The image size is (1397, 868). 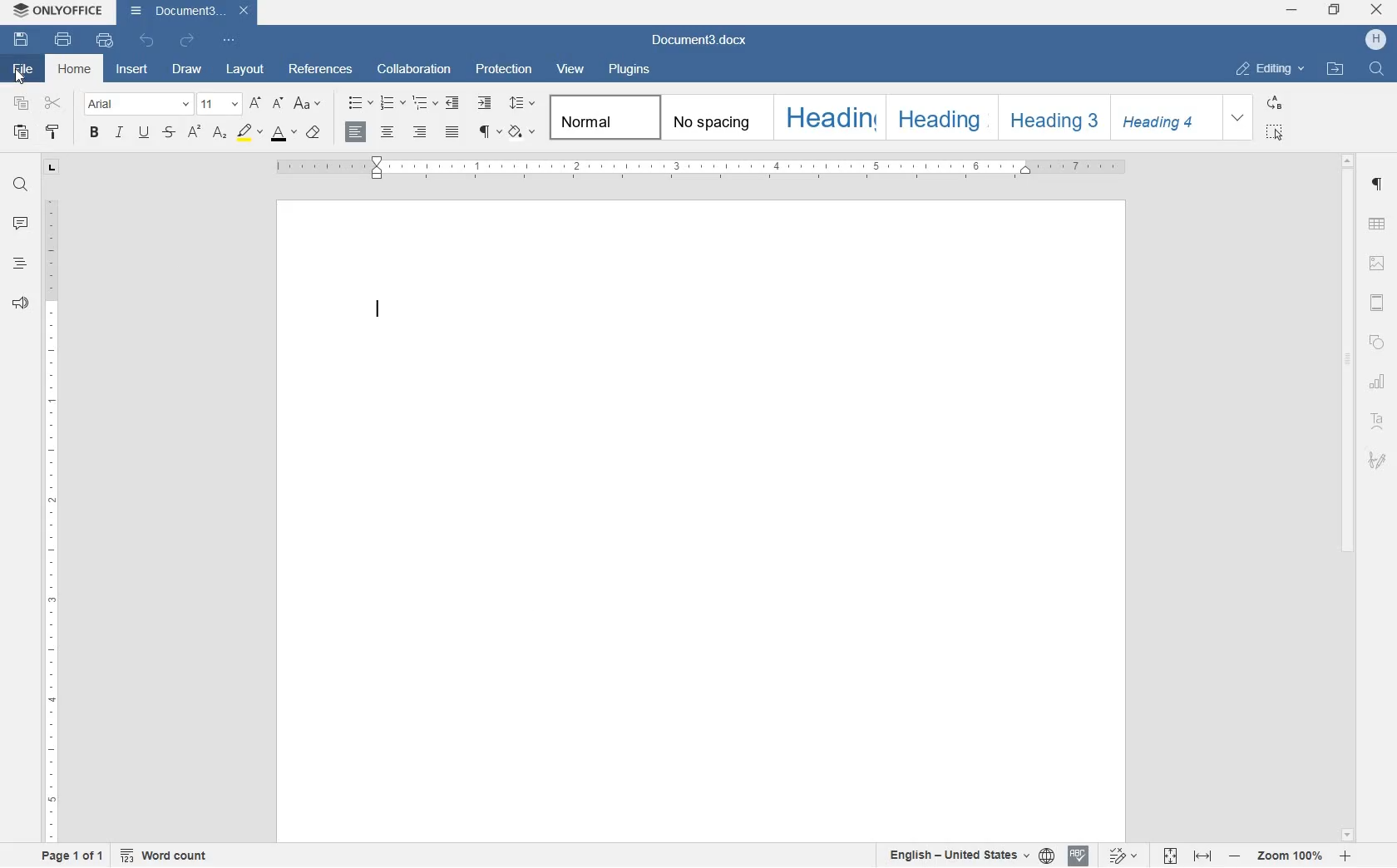 What do you see at coordinates (94, 133) in the screenshot?
I see `bold` at bounding box center [94, 133].